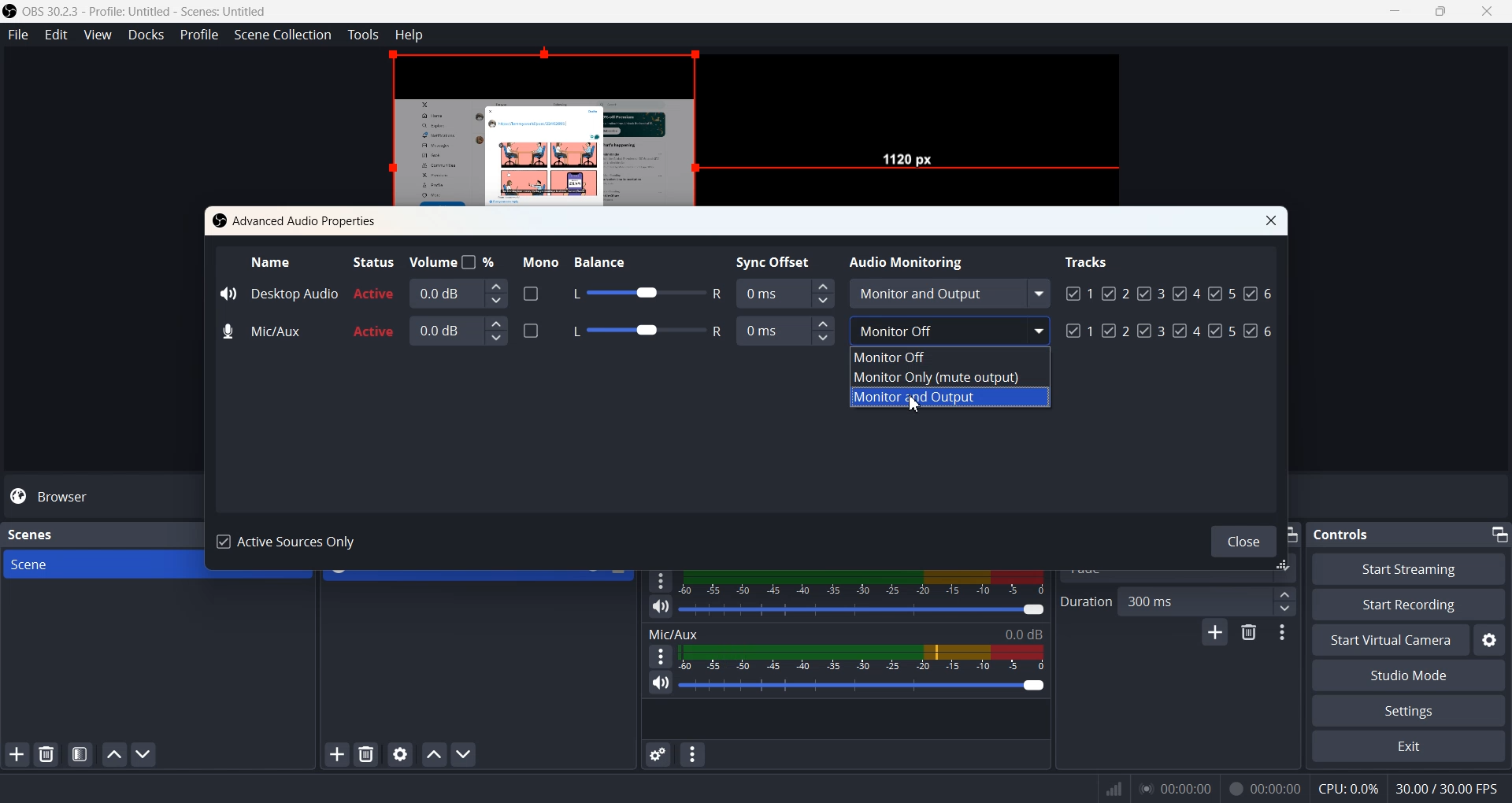 The height and width of the screenshot is (803, 1512). What do you see at coordinates (57, 35) in the screenshot?
I see `Edit` at bounding box center [57, 35].